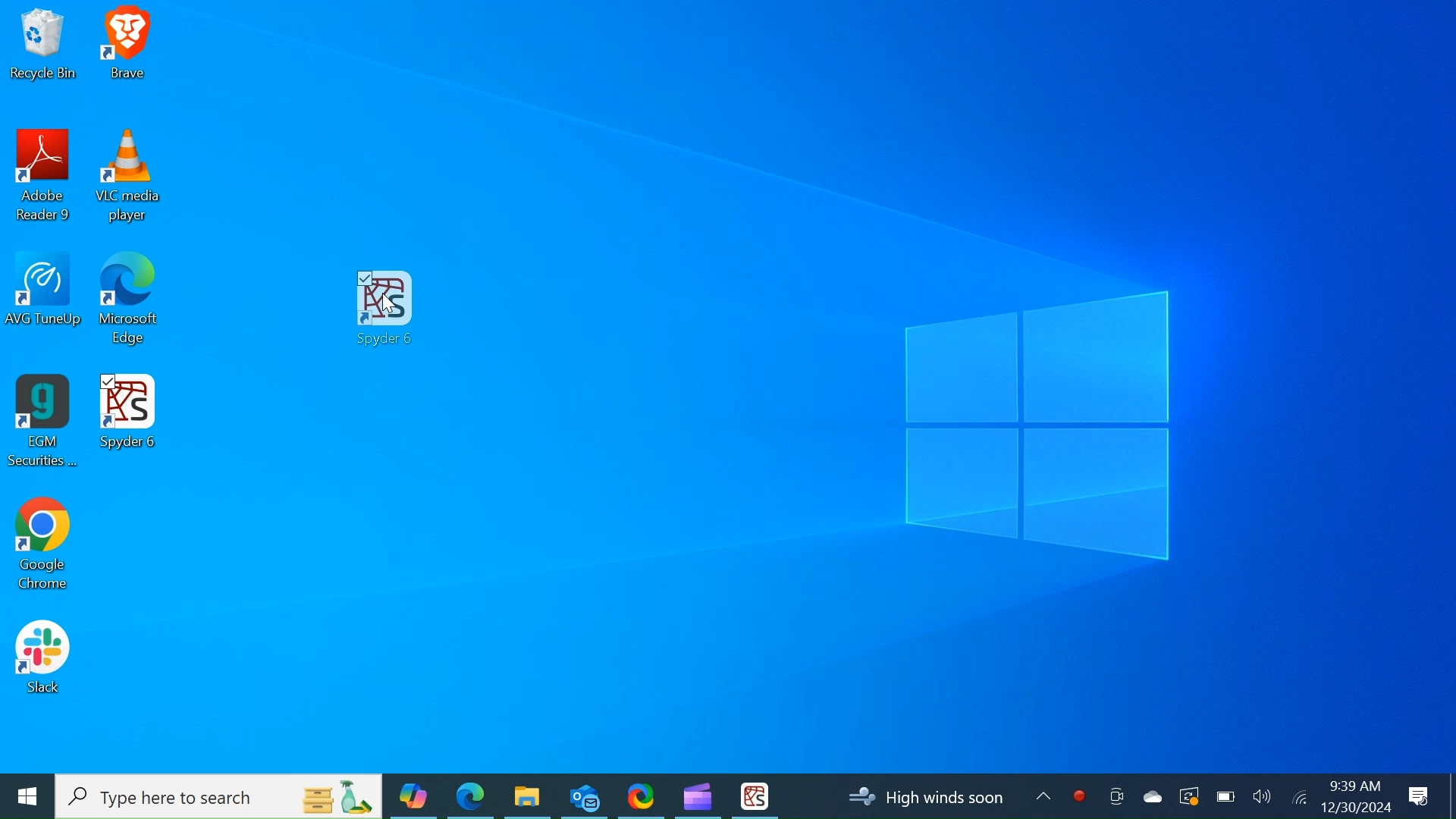 The image size is (1456, 819). Describe the element at coordinates (1225, 796) in the screenshot. I see `Charge` at that location.